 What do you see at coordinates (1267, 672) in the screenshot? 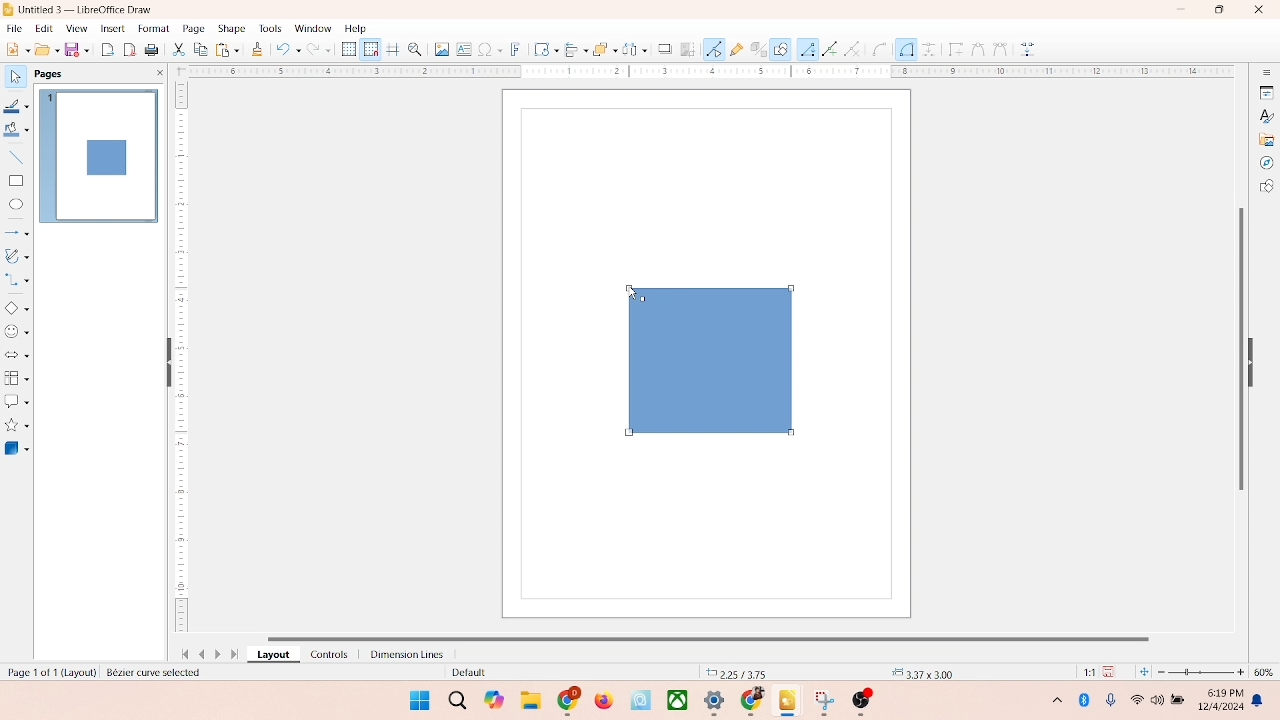
I see `zoom percentage` at bounding box center [1267, 672].